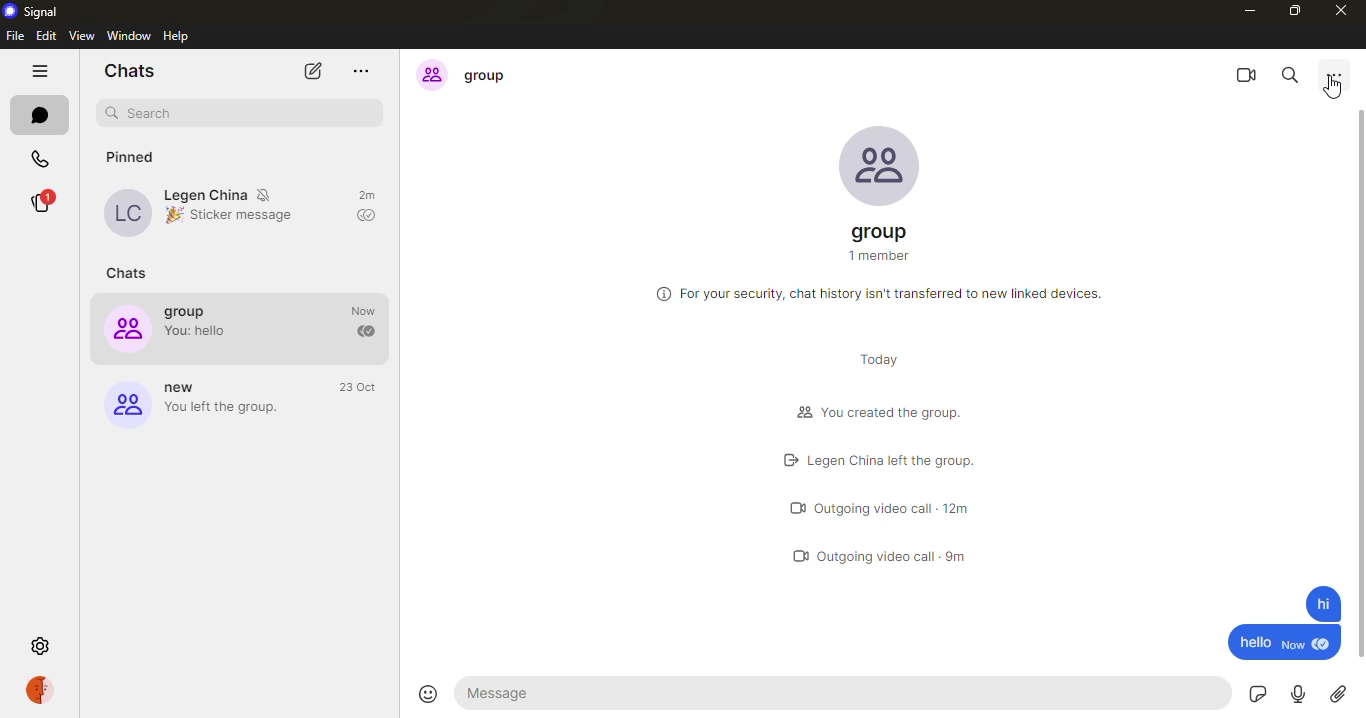  Describe the element at coordinates (422, 693) in the screenshot. I see `emoji` at that location.